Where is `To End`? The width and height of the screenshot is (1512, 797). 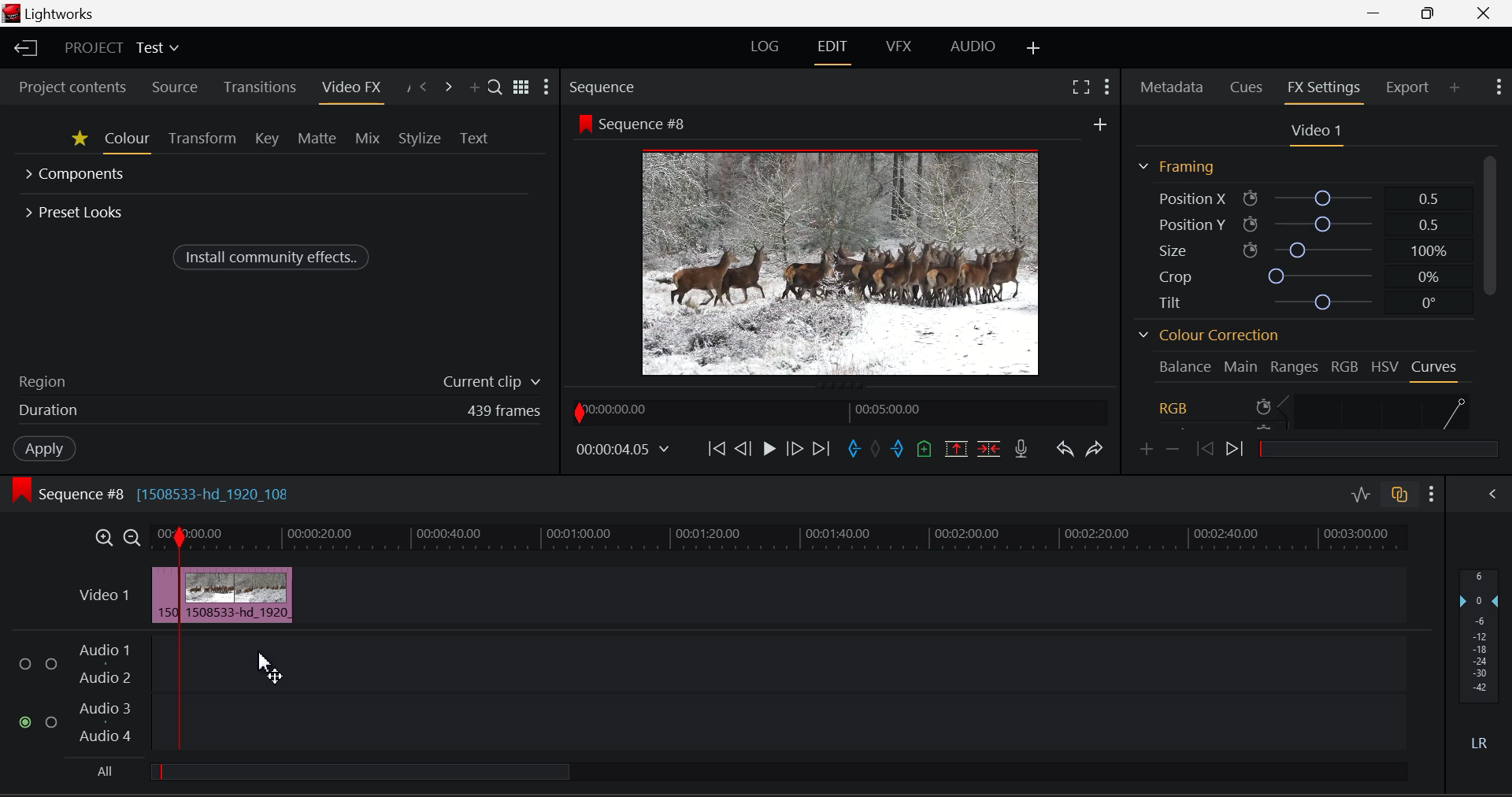
To End is located at coordinates (825, 449).